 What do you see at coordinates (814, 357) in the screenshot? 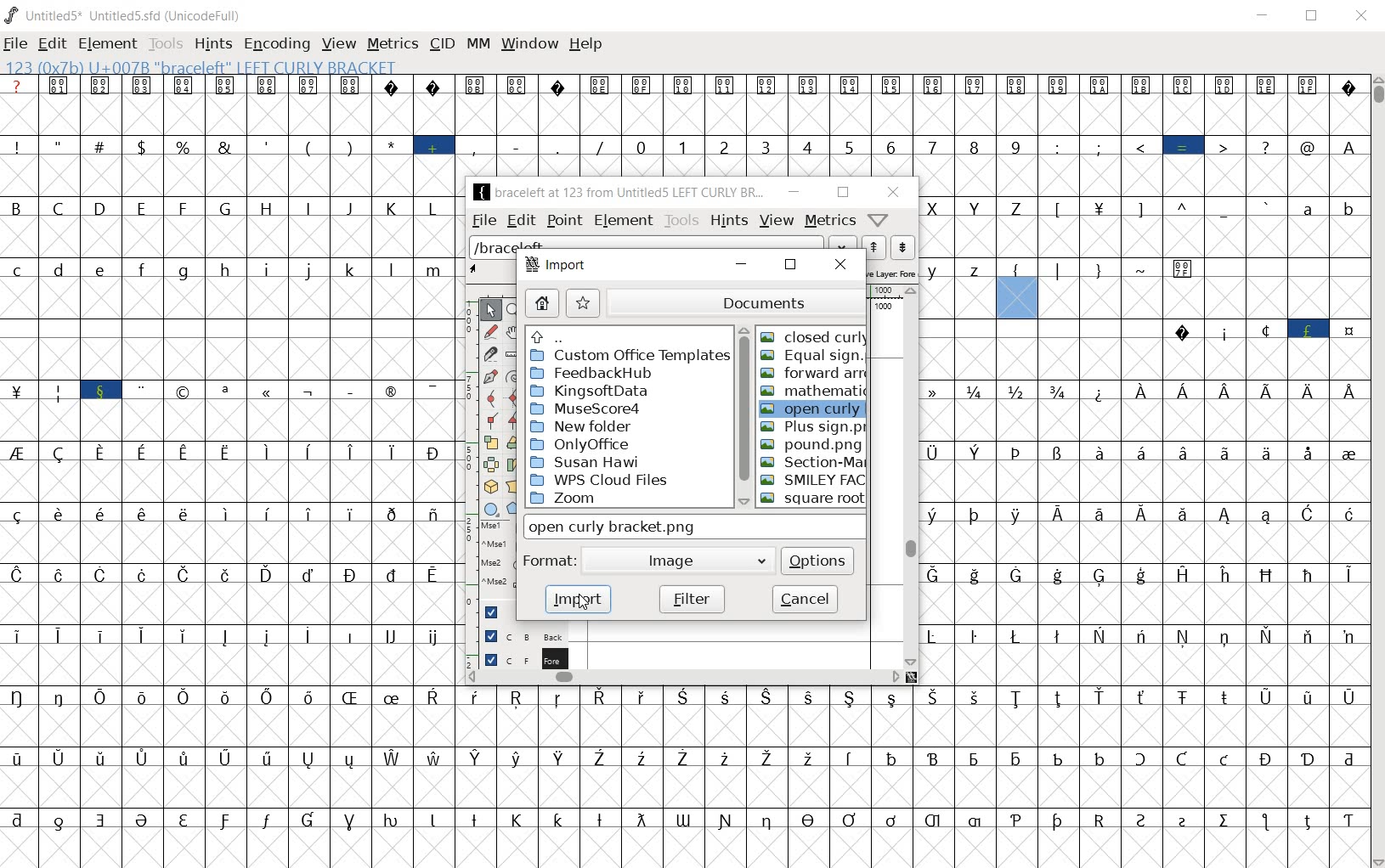
I see `Equal sign` at bounding box center [814, 357].